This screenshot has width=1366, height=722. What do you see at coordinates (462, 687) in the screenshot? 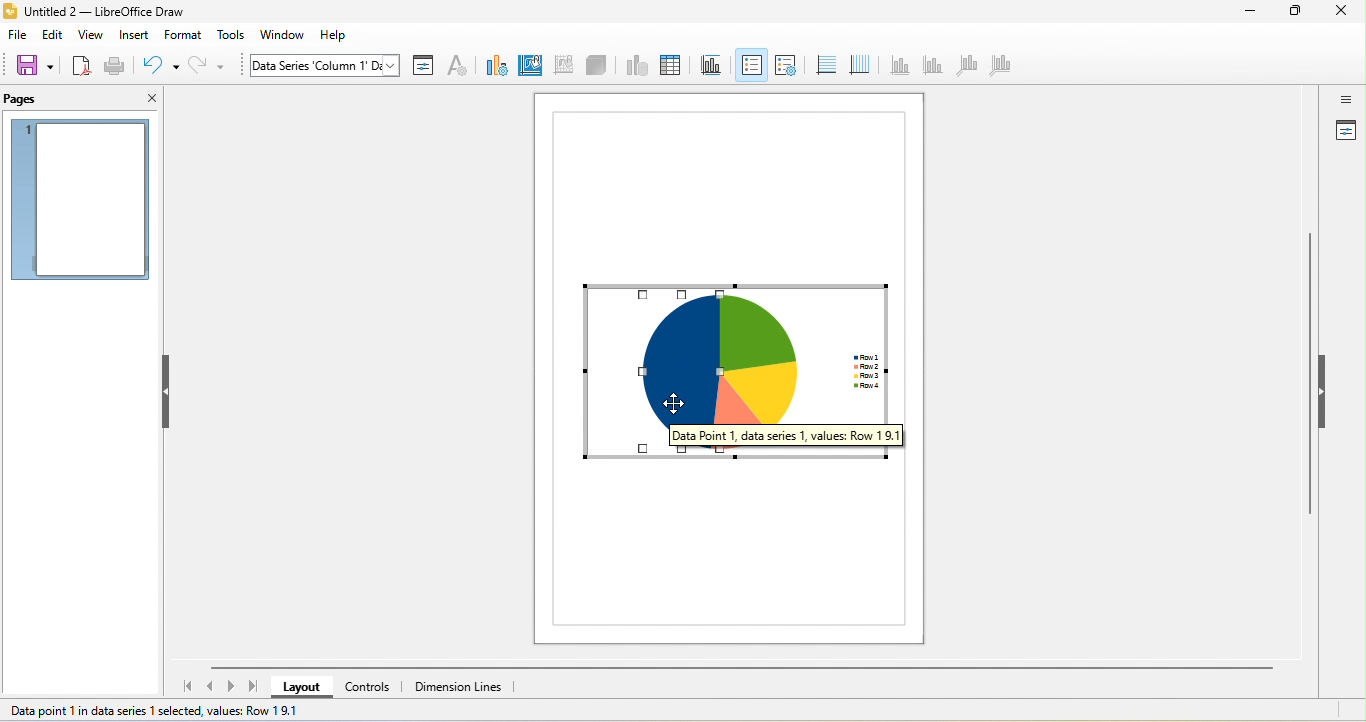
I see `dimension lines` at bounding box center [462, 687].